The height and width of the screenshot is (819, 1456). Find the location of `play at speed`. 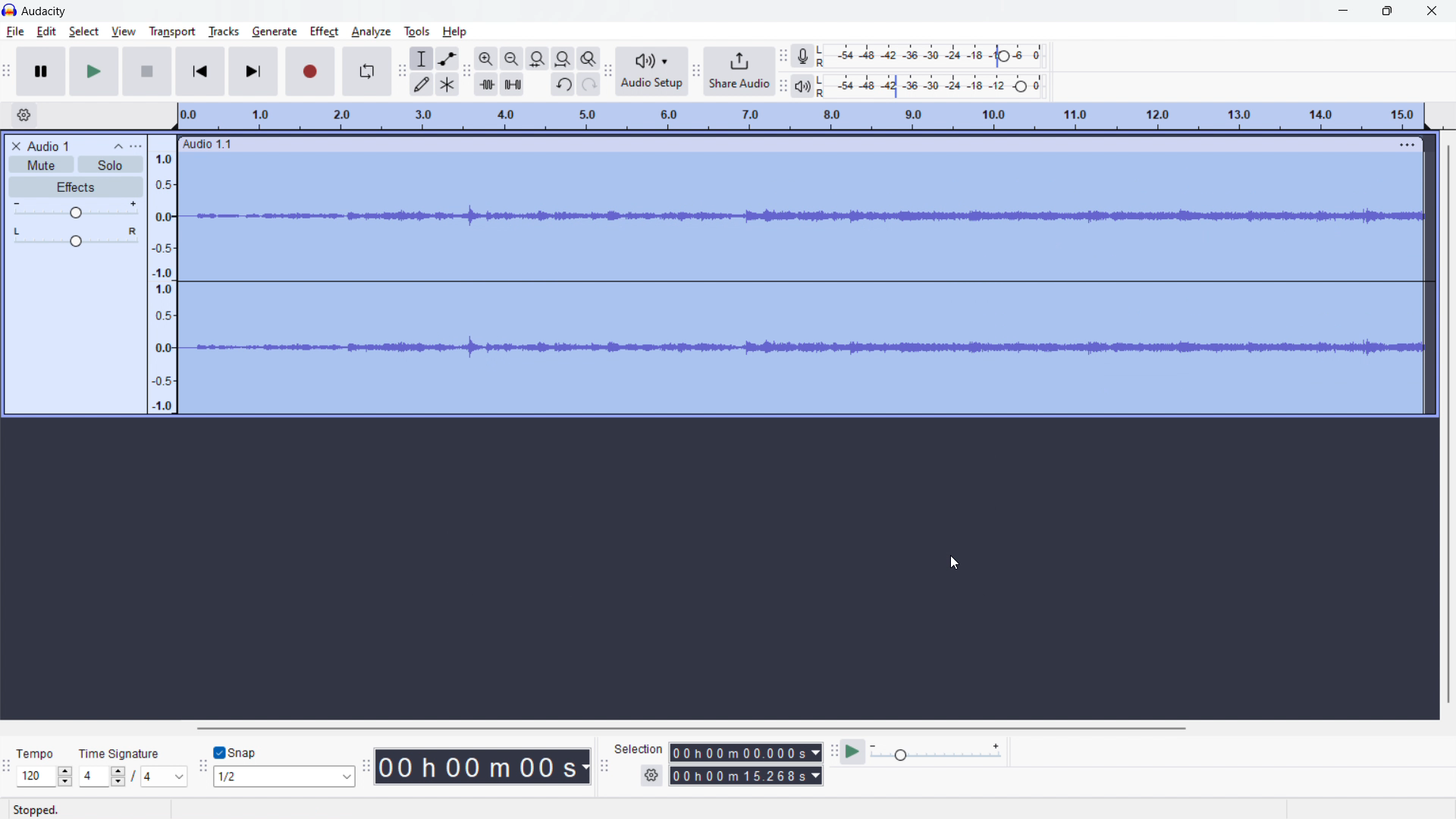

play at speed is located at coordinates (853, 752).